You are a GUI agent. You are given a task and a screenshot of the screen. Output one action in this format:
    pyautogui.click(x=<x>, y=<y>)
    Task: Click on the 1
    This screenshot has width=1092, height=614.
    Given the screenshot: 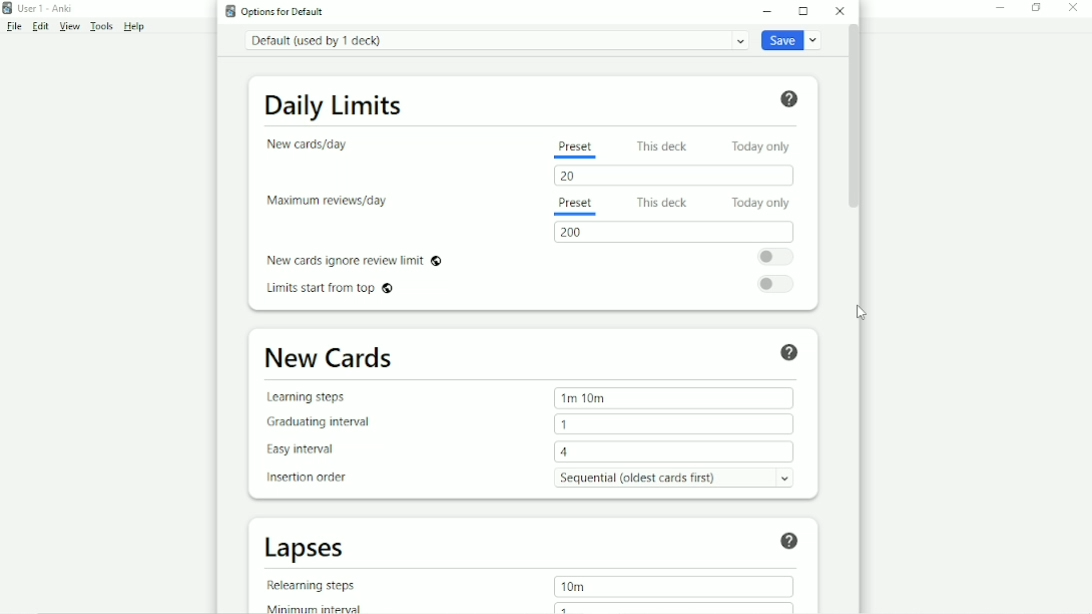 What is the action you would take?
    pyautogui.click(x=567, y=608)
    